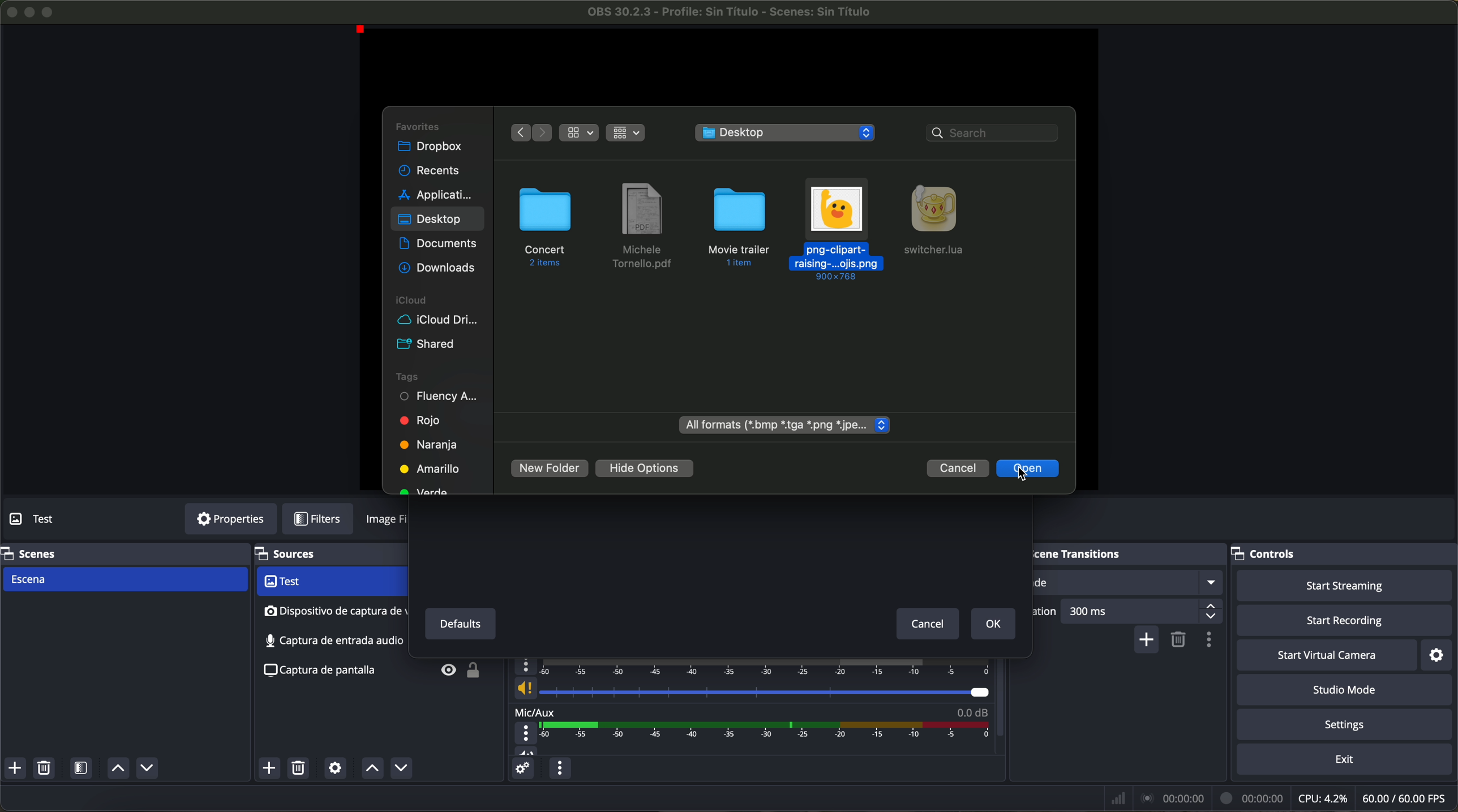 This screenshot has height=812, width=1458. What do you see at coordinates (428, 468) in the screenshot?
I see `yellow` at bounding box center [428, 468].